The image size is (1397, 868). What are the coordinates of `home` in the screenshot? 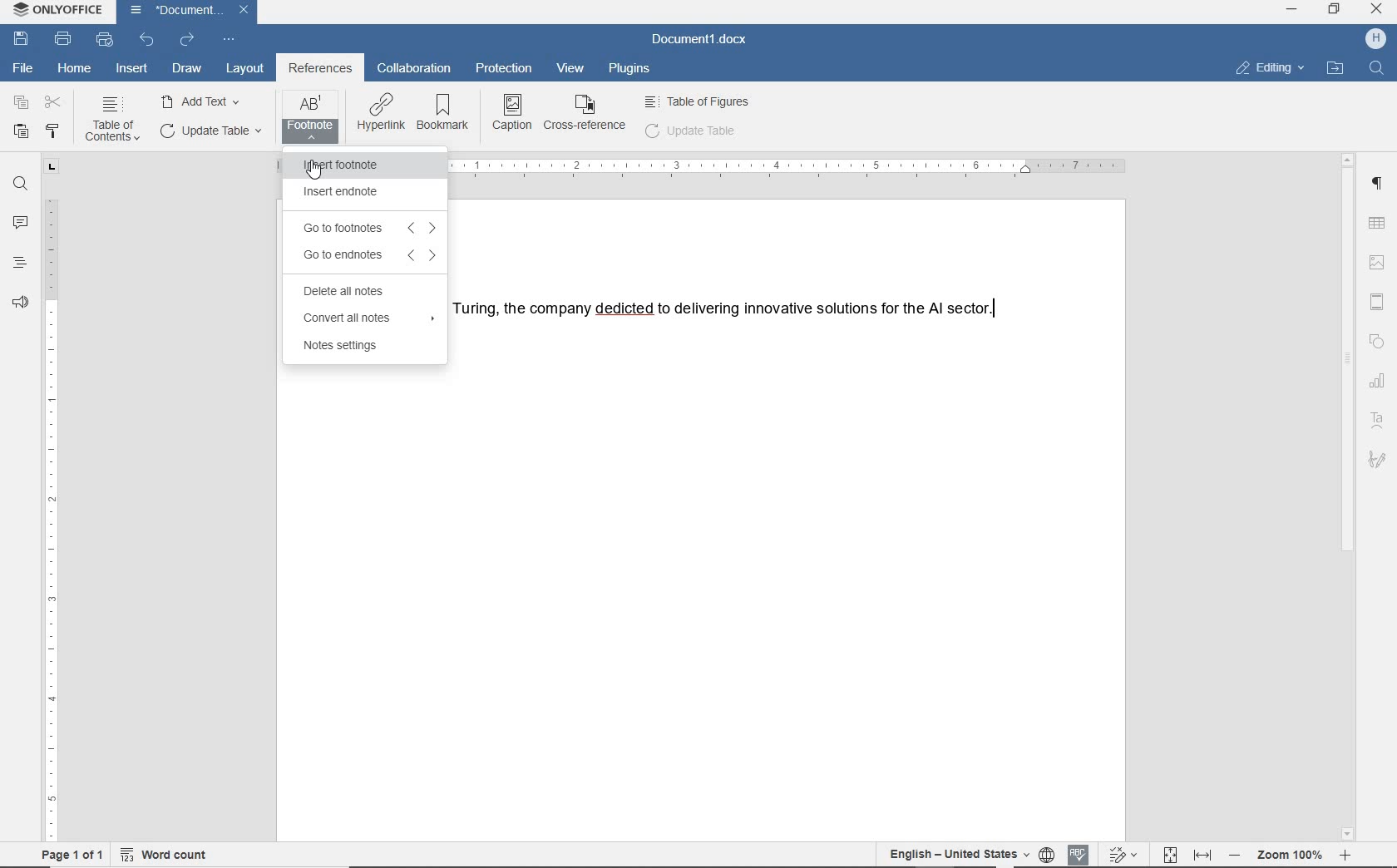 It's located at (73, 69).